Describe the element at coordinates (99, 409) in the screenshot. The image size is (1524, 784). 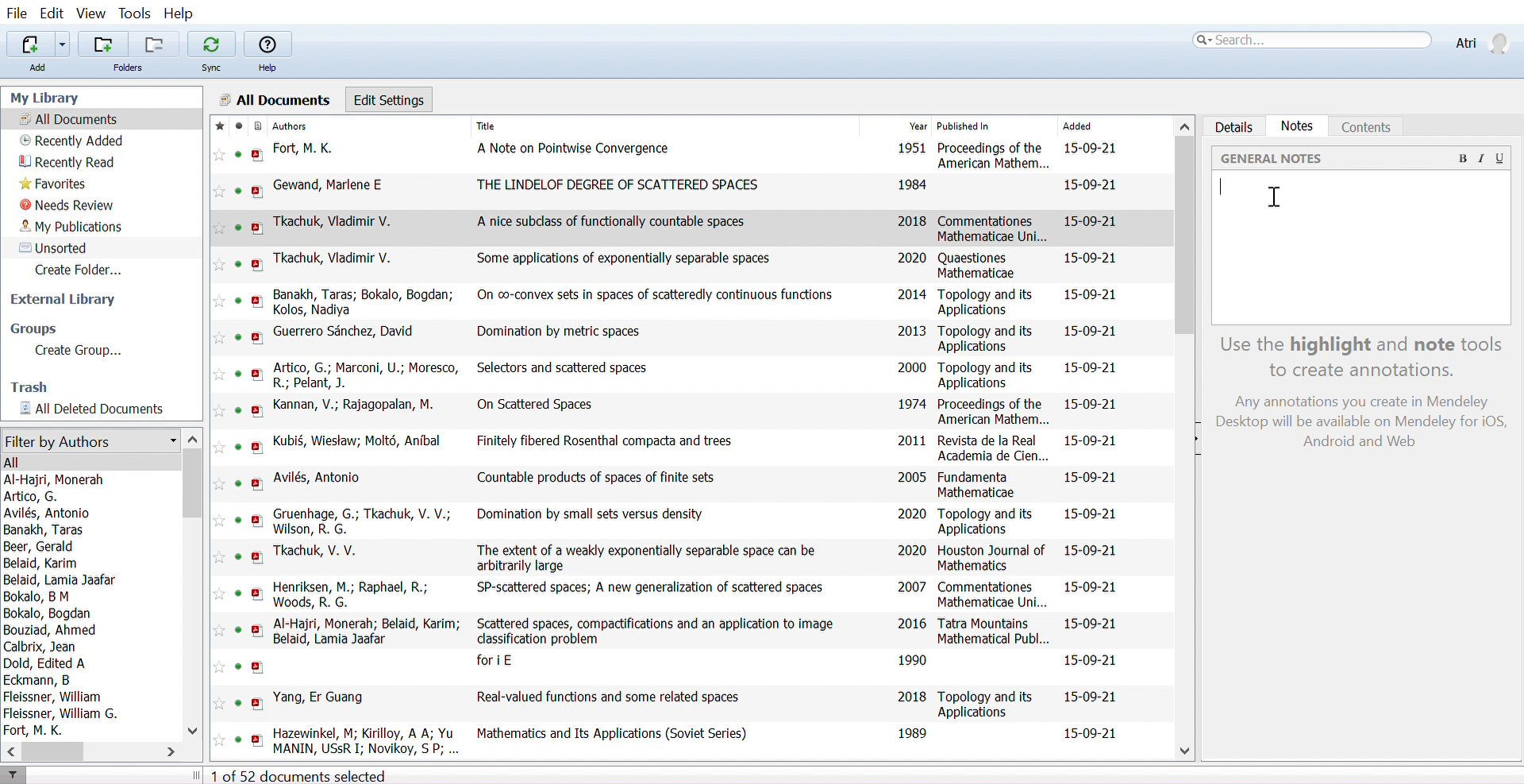
I see `All documents` at that location.